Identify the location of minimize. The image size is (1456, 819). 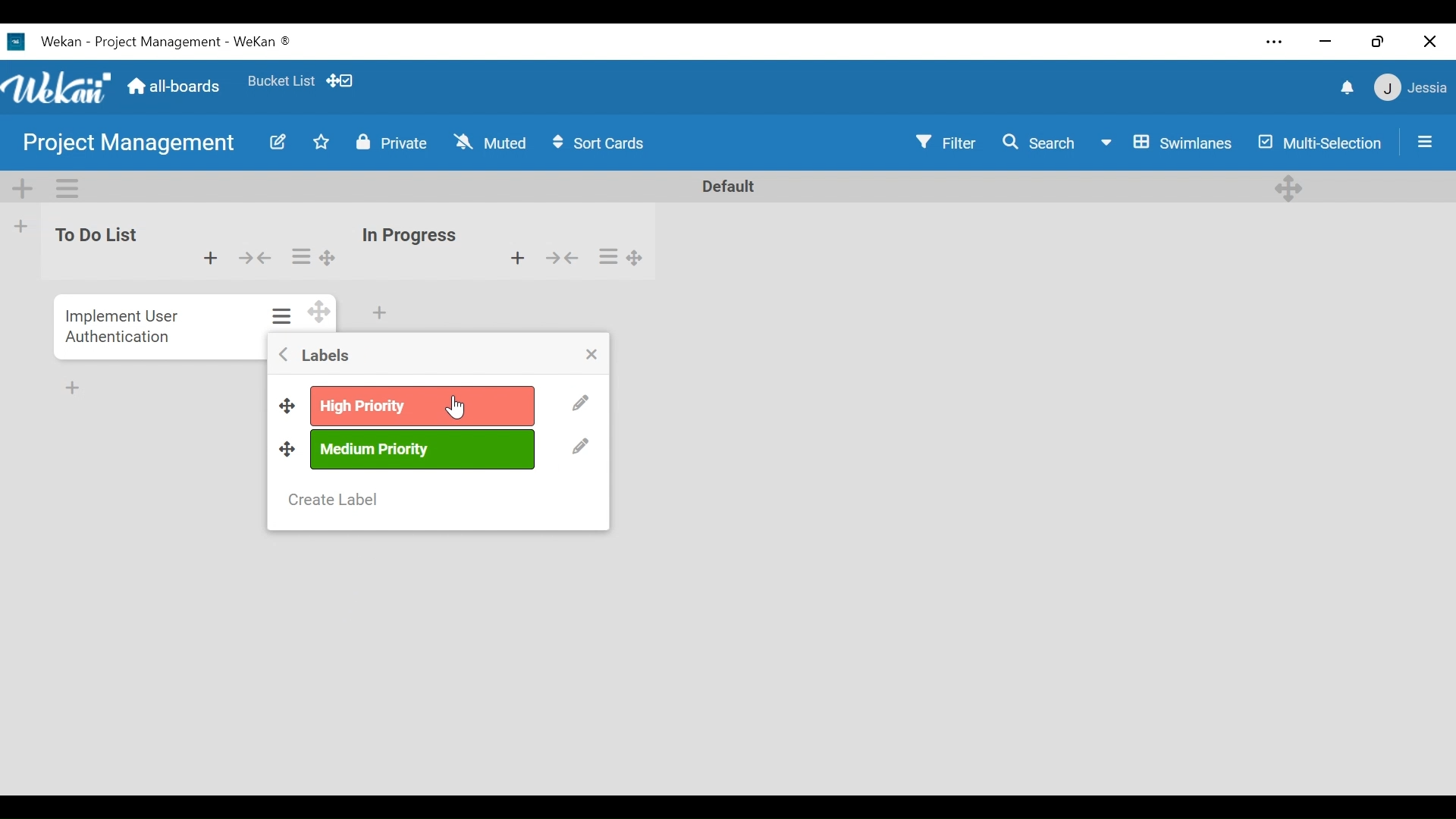
(1328, 43).